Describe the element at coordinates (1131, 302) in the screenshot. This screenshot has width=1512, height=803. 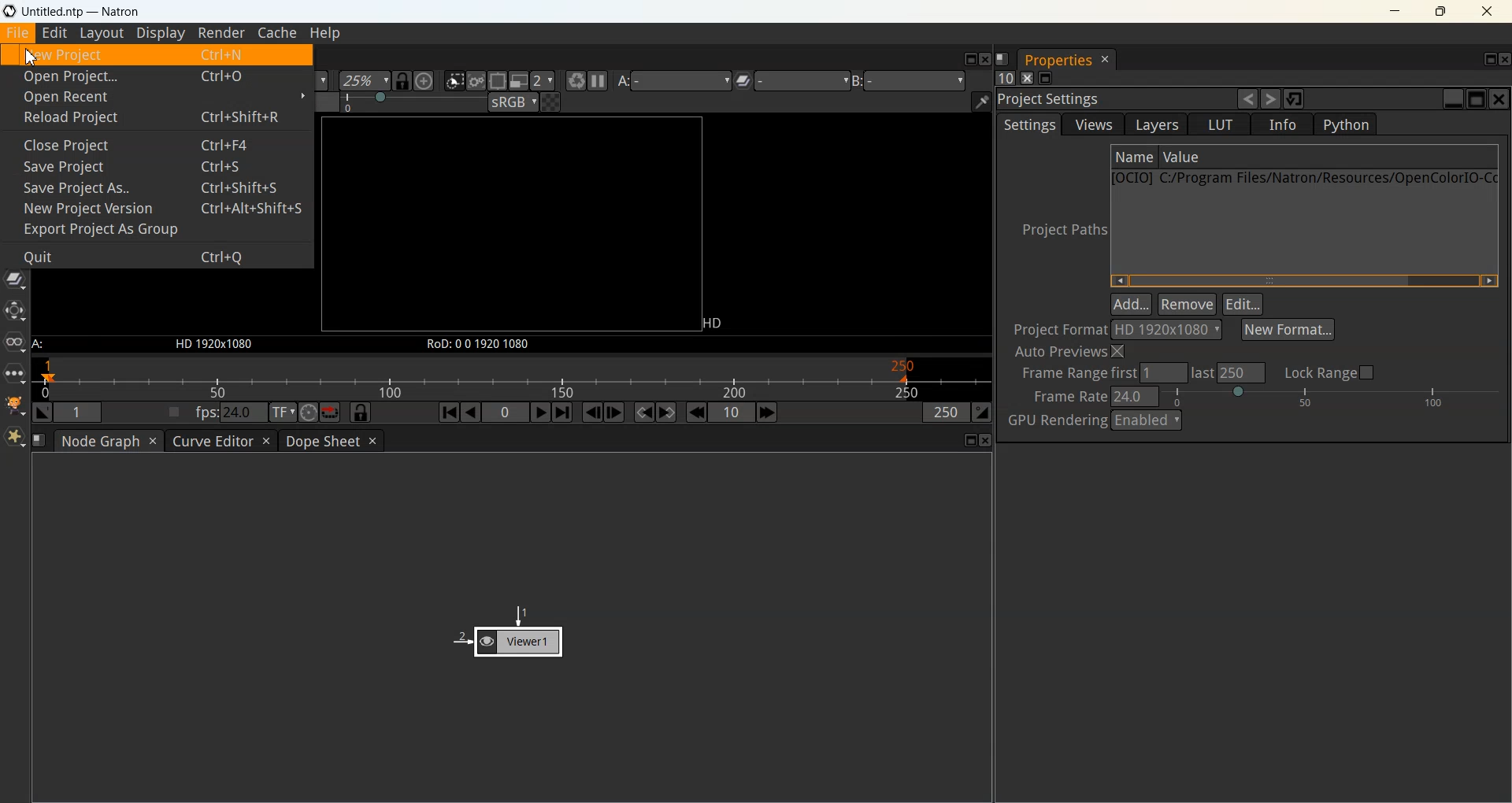
I see `Add` at that location.